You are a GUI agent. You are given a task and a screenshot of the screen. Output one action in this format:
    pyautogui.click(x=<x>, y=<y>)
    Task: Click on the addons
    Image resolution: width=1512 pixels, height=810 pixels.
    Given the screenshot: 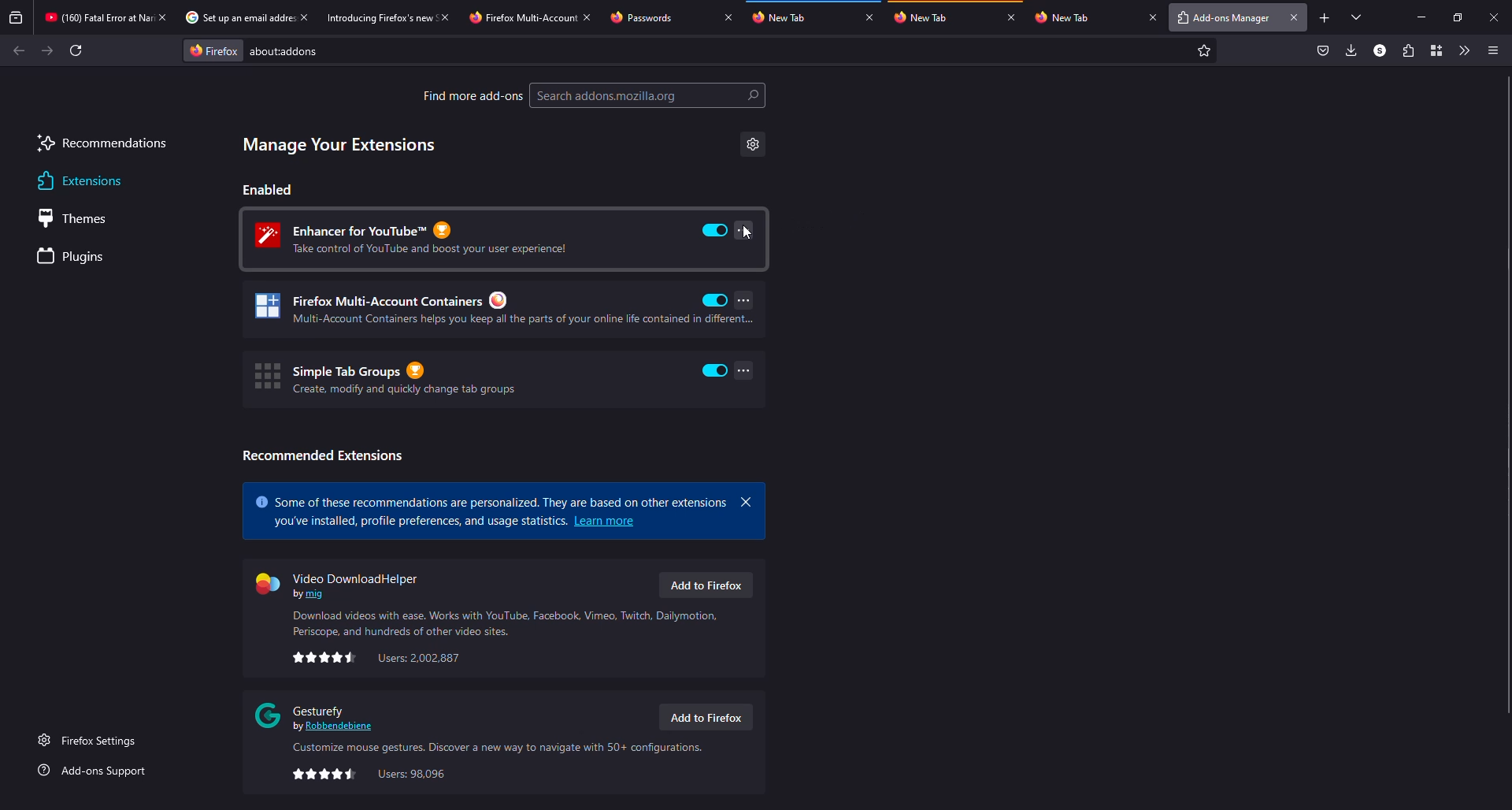 What is the action you would take?
    pyautogui.click(x=290, y=51)
    